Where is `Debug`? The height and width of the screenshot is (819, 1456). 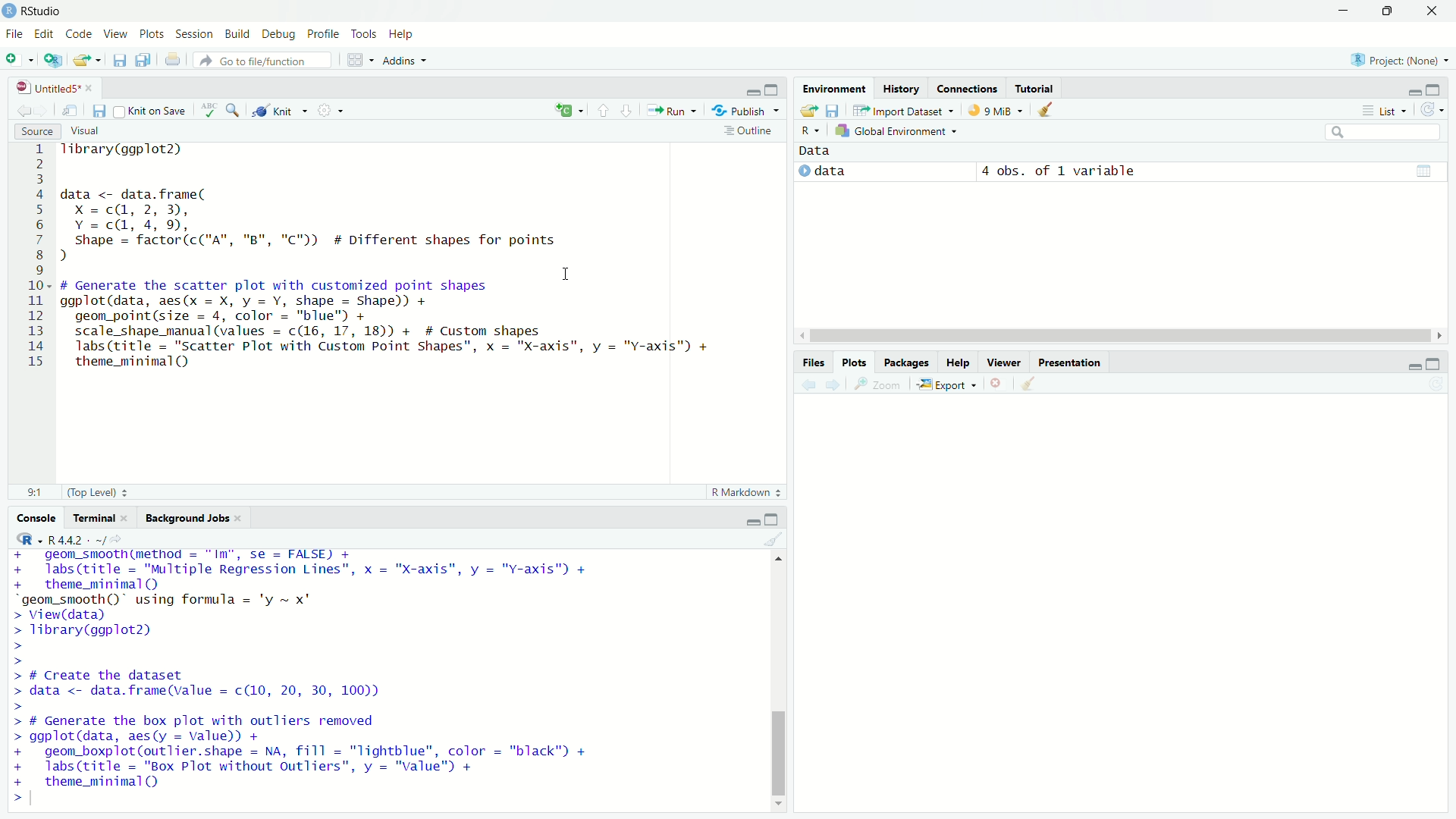 Debug is located at coordinates (278, 34).